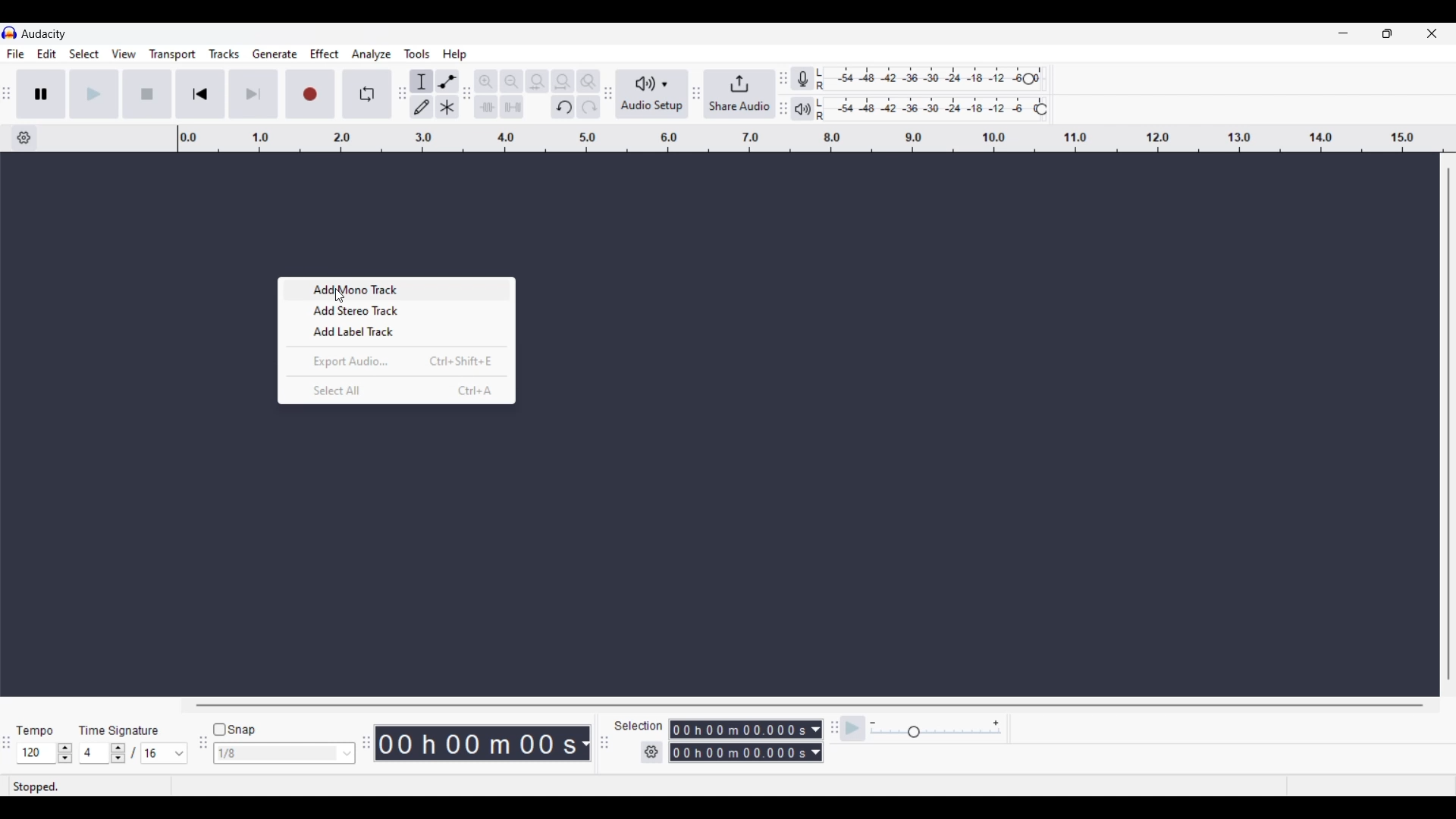  What do you see at coordinates (808, 108) in the screenshot?
I see `Playback meter` at bounding box center [808, 108].